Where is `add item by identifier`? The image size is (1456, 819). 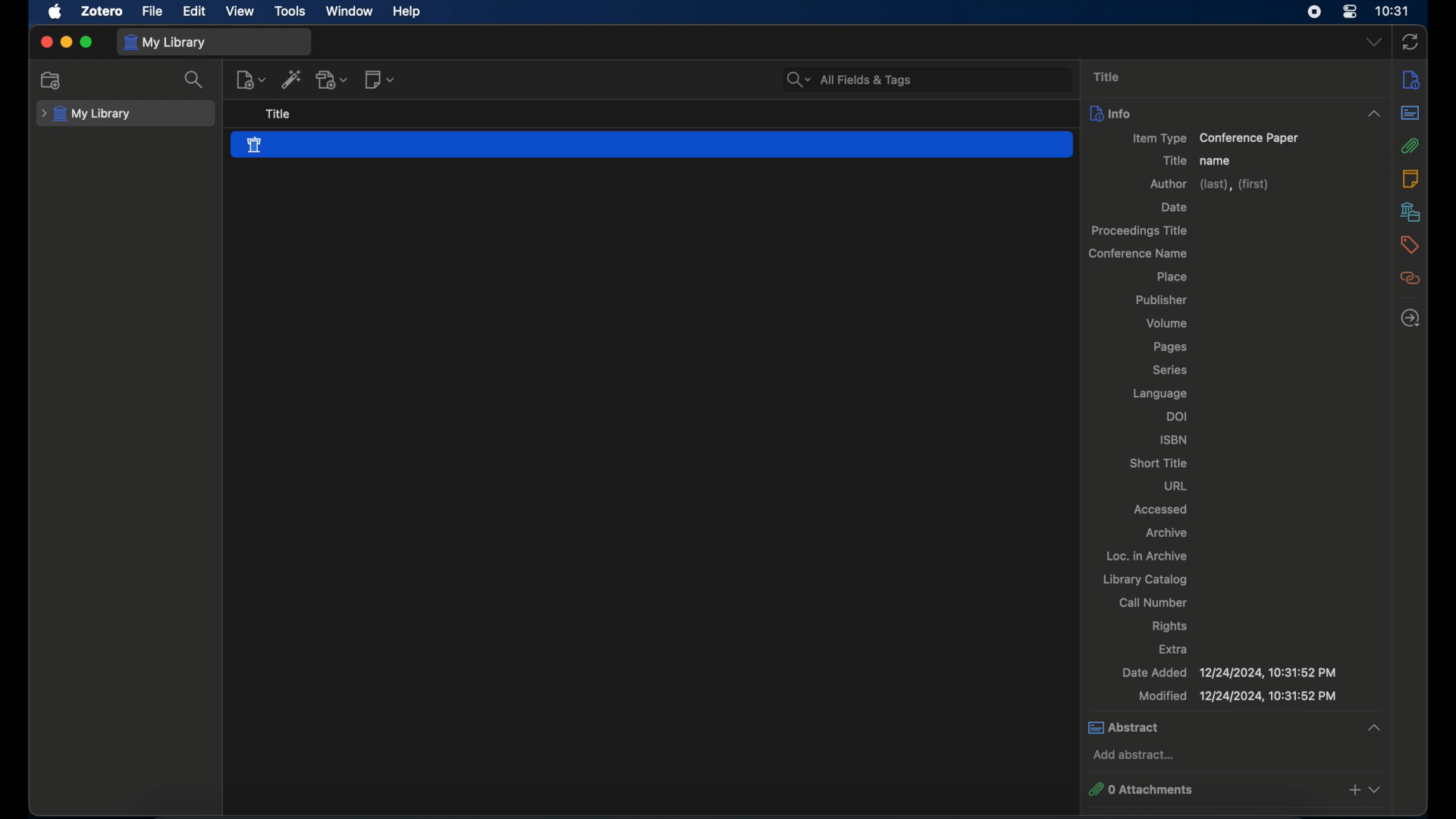 add item by identifier is located at coordinates (293, 79).